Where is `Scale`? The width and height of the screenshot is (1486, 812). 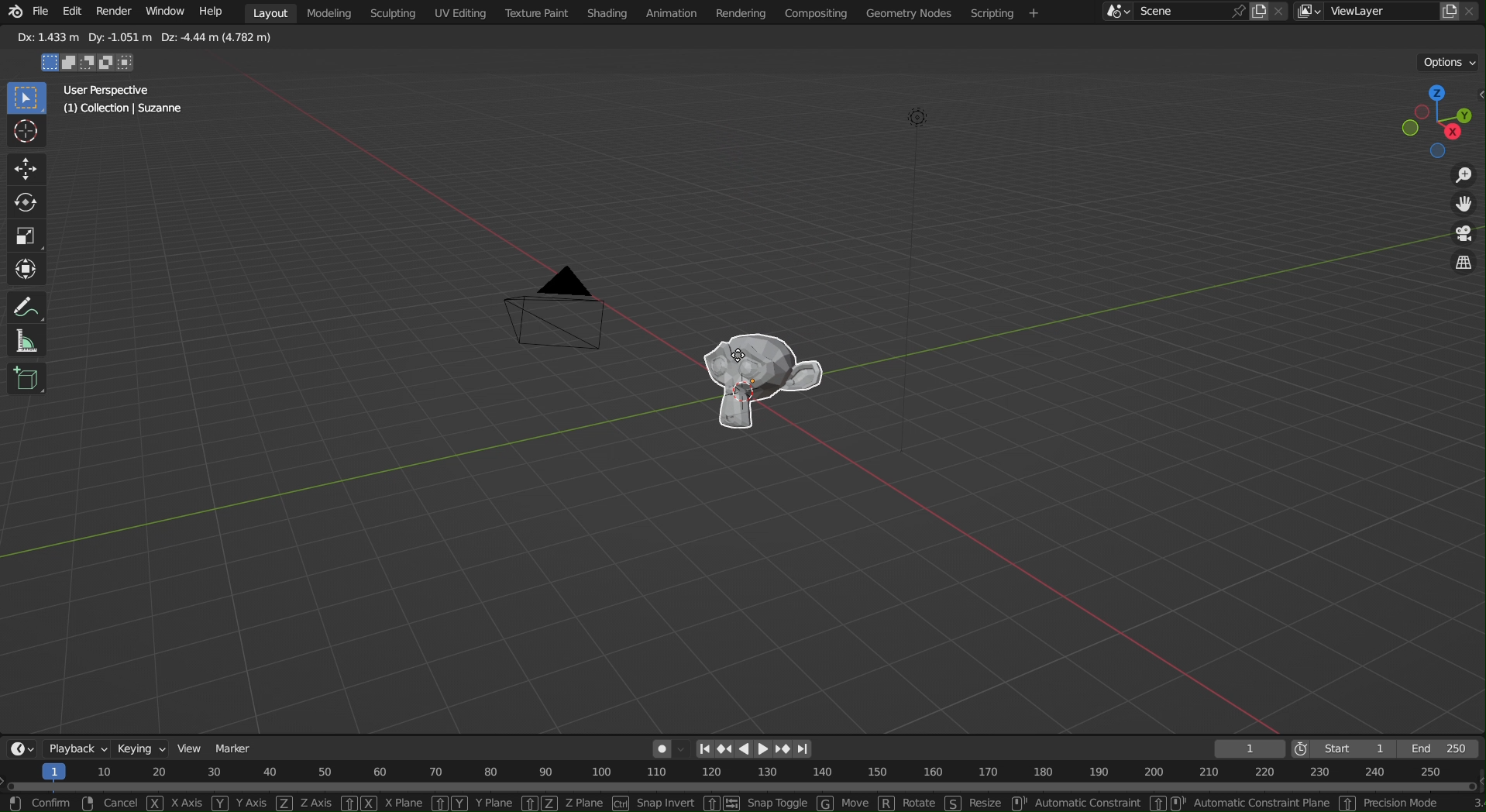 Scale is located at coordinates (22, 232).